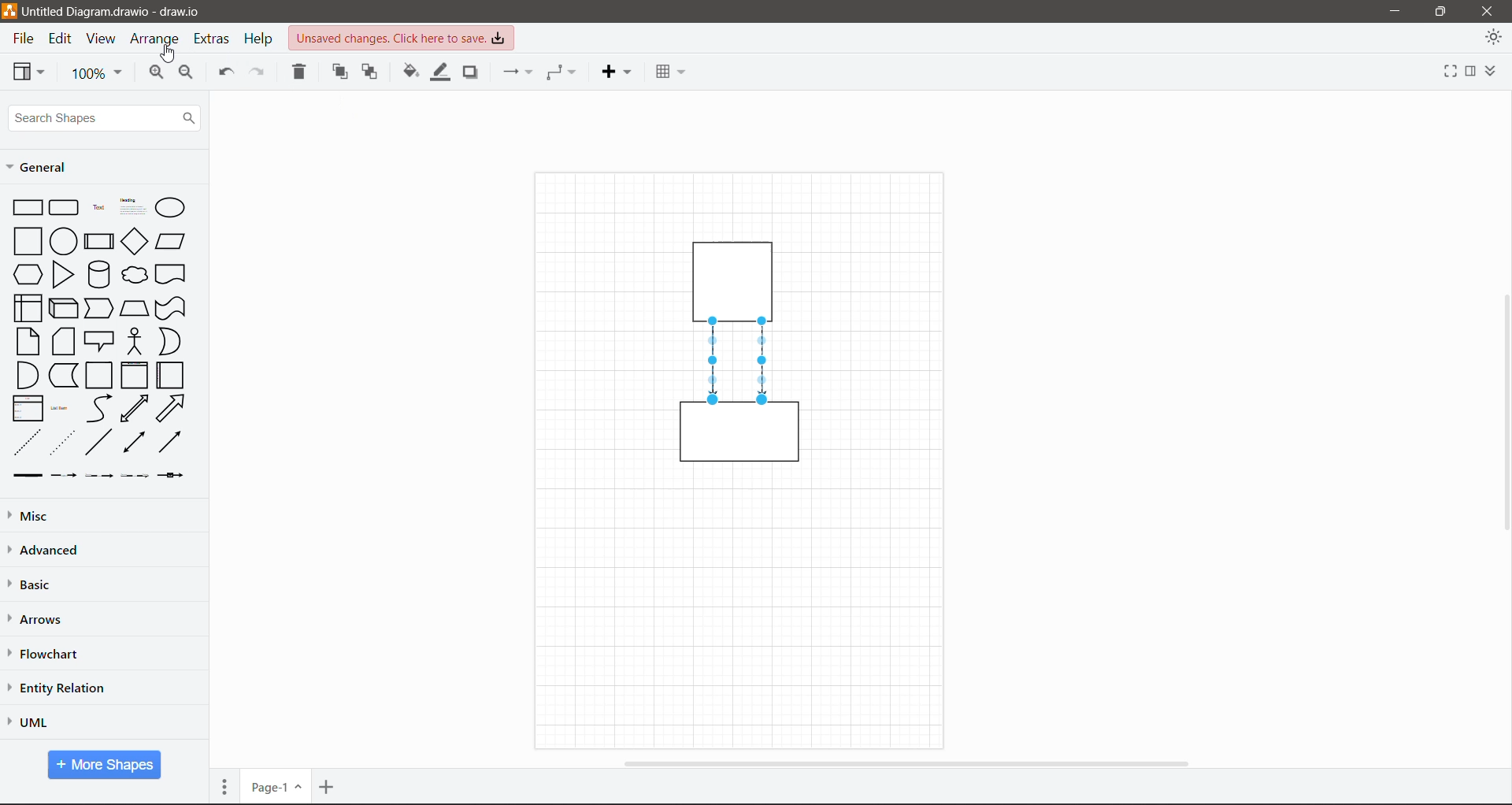  I want to click on Insert, so click(616, 72).